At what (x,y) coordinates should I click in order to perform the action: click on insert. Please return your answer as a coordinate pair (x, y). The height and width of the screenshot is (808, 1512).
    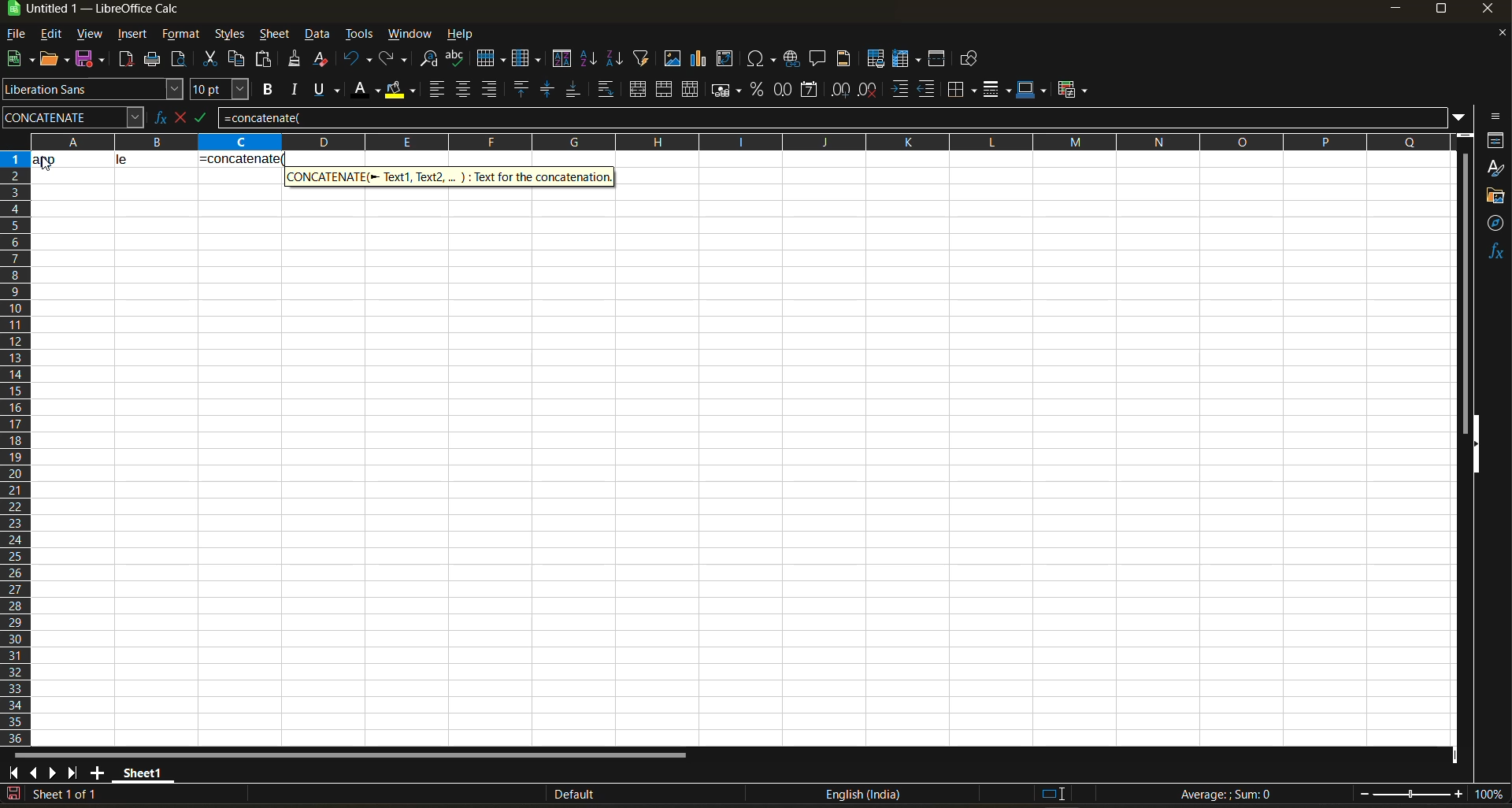
    Looking at the image, I should click on (132, 35).